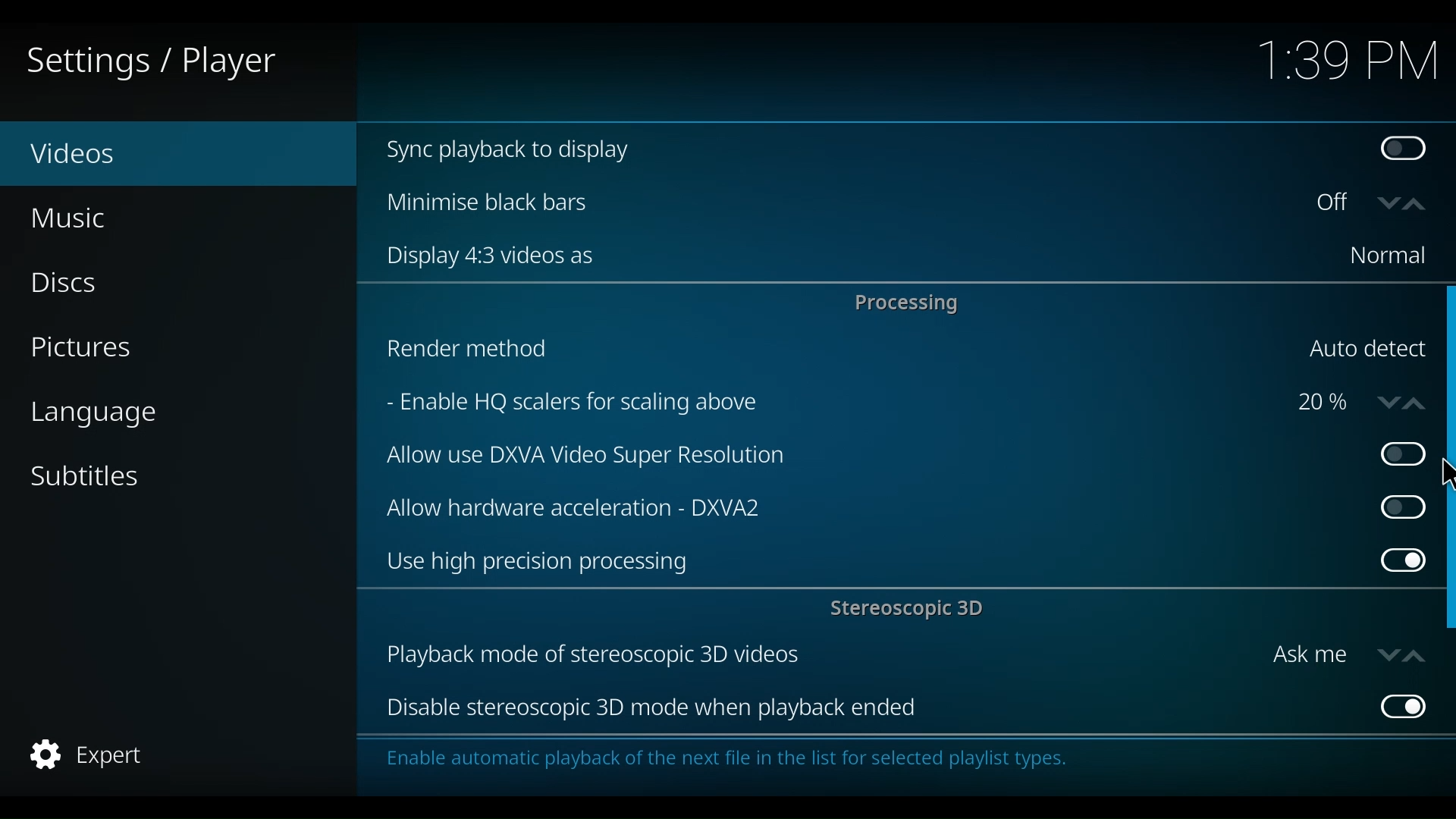  Describe the element at coordinates (1348, 63) in the screenshot. I see `Time` at that location.